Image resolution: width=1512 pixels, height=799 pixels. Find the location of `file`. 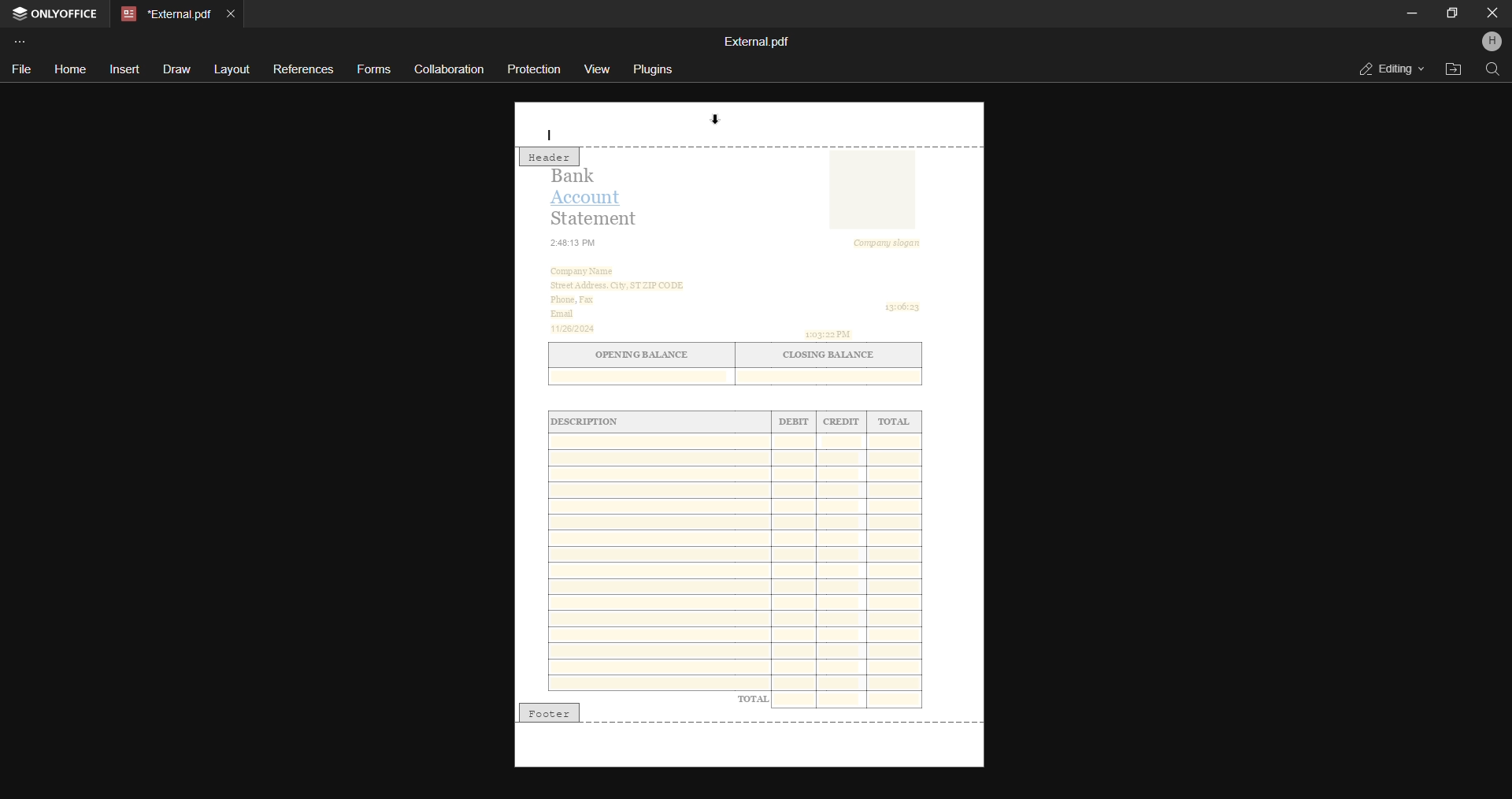

file is located at coordinates (21, 68).